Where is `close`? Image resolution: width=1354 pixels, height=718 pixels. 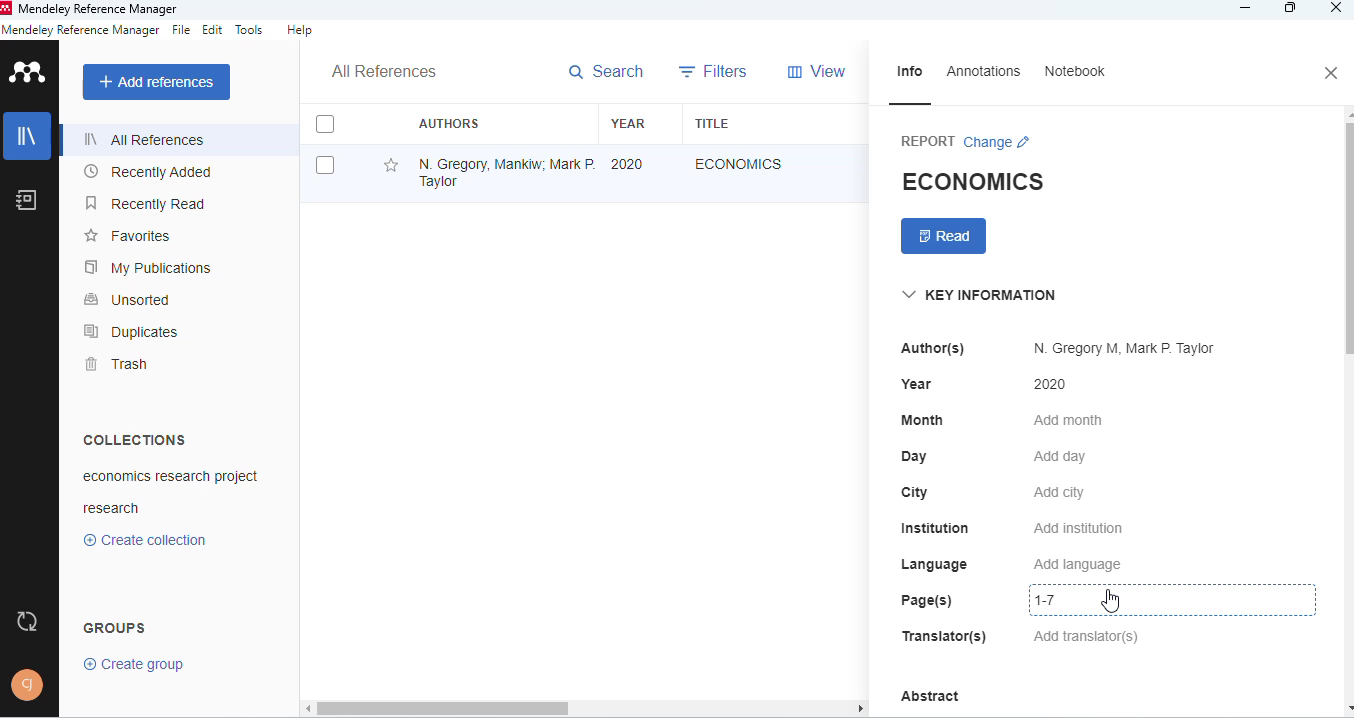 close is located at coordinates (1333, 73).